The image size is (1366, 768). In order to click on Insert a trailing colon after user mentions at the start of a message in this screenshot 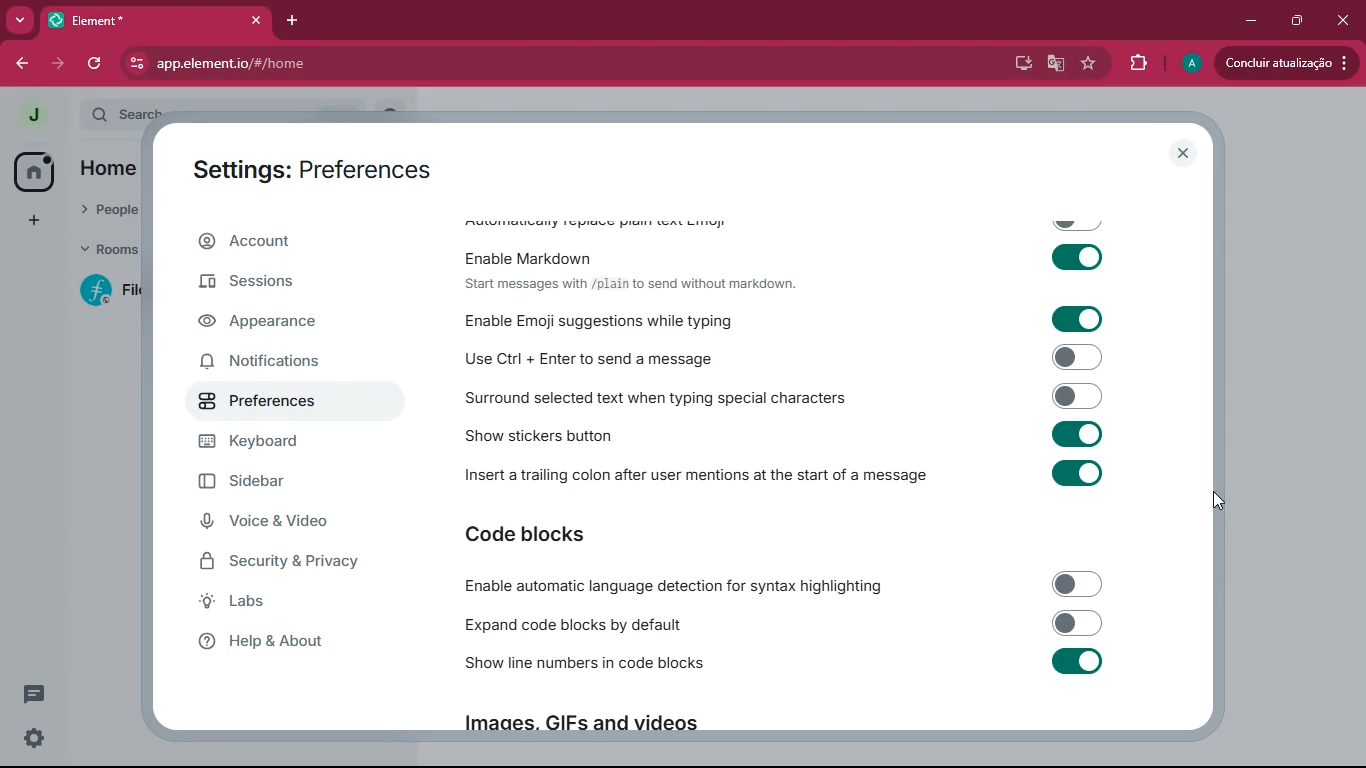, I will do `click(788, 472)`.